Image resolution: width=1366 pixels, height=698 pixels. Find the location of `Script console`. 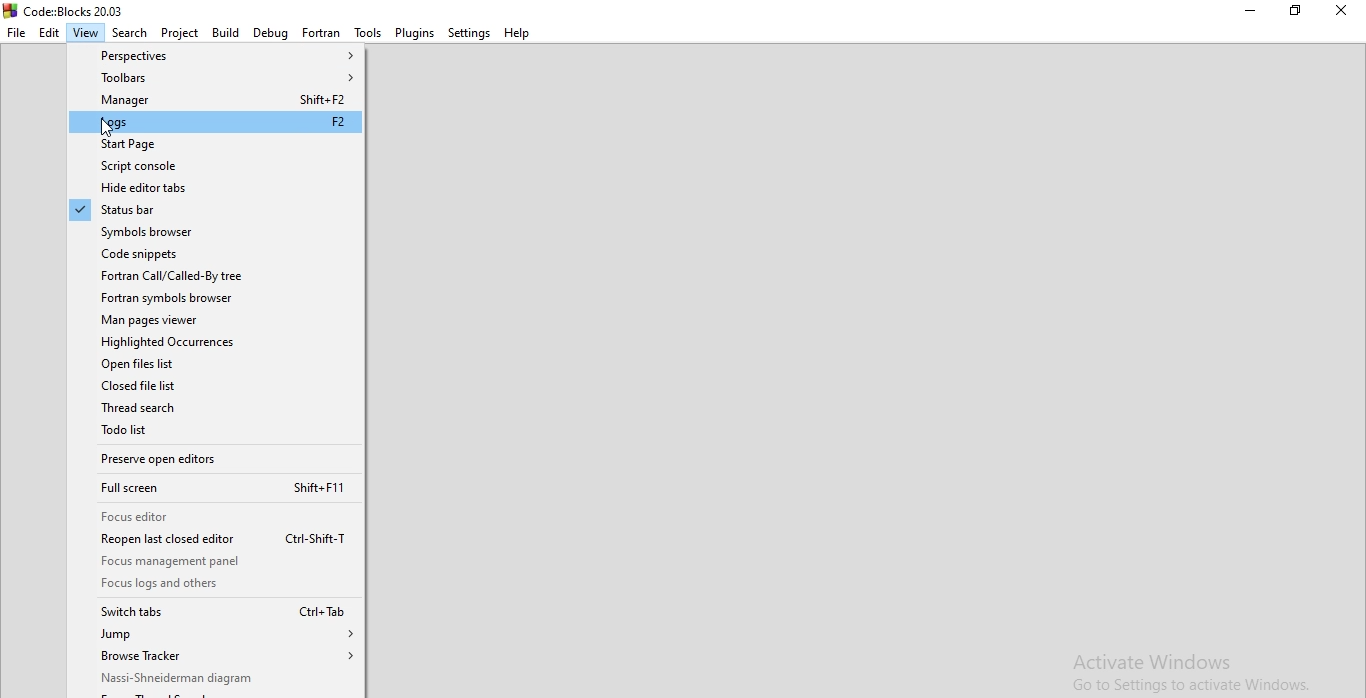

Script console is located at coordinates (217, 167).